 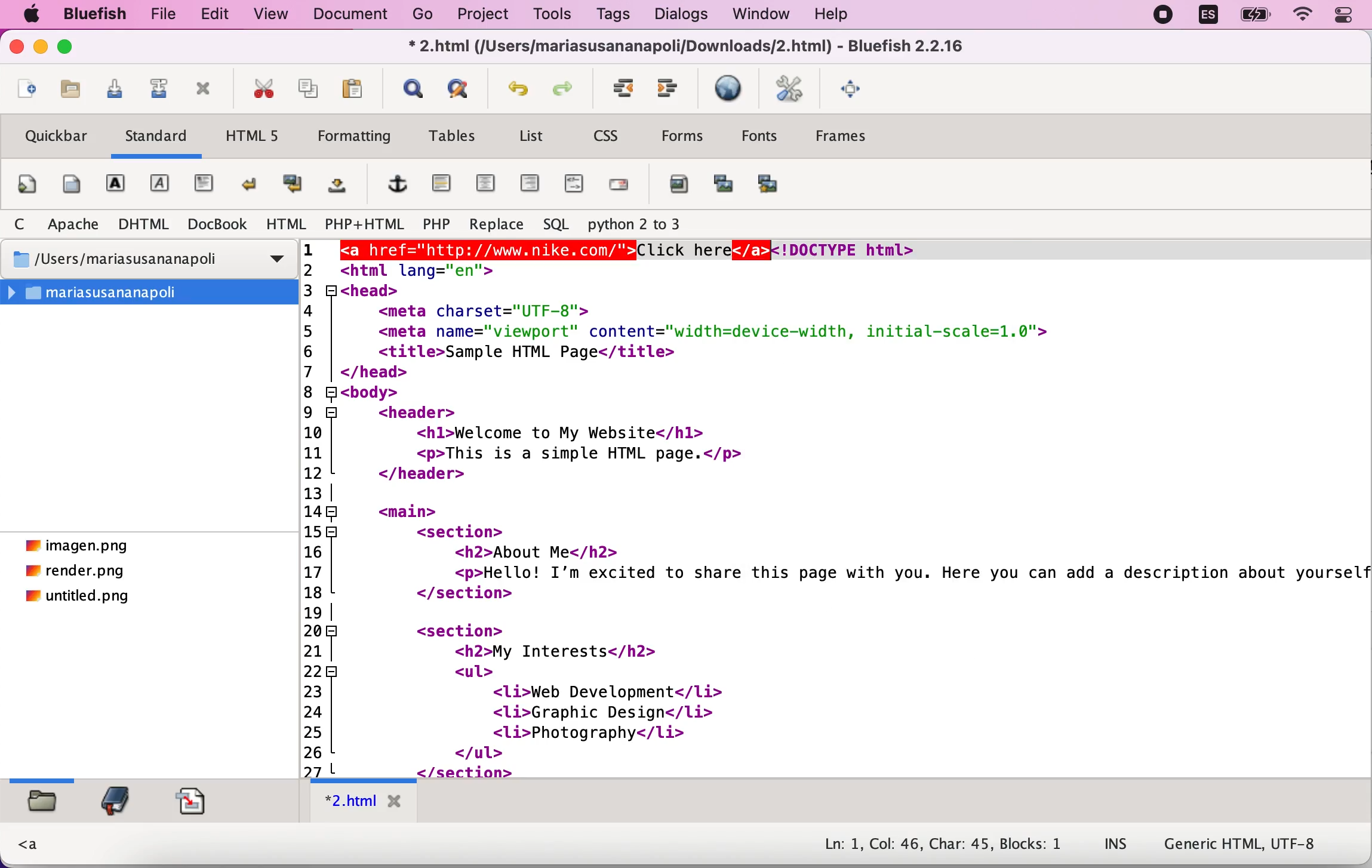 What do you see at coordinates (788, 91) in the screenshot?
I see `edit preferences` at bounding box center [788, 91].